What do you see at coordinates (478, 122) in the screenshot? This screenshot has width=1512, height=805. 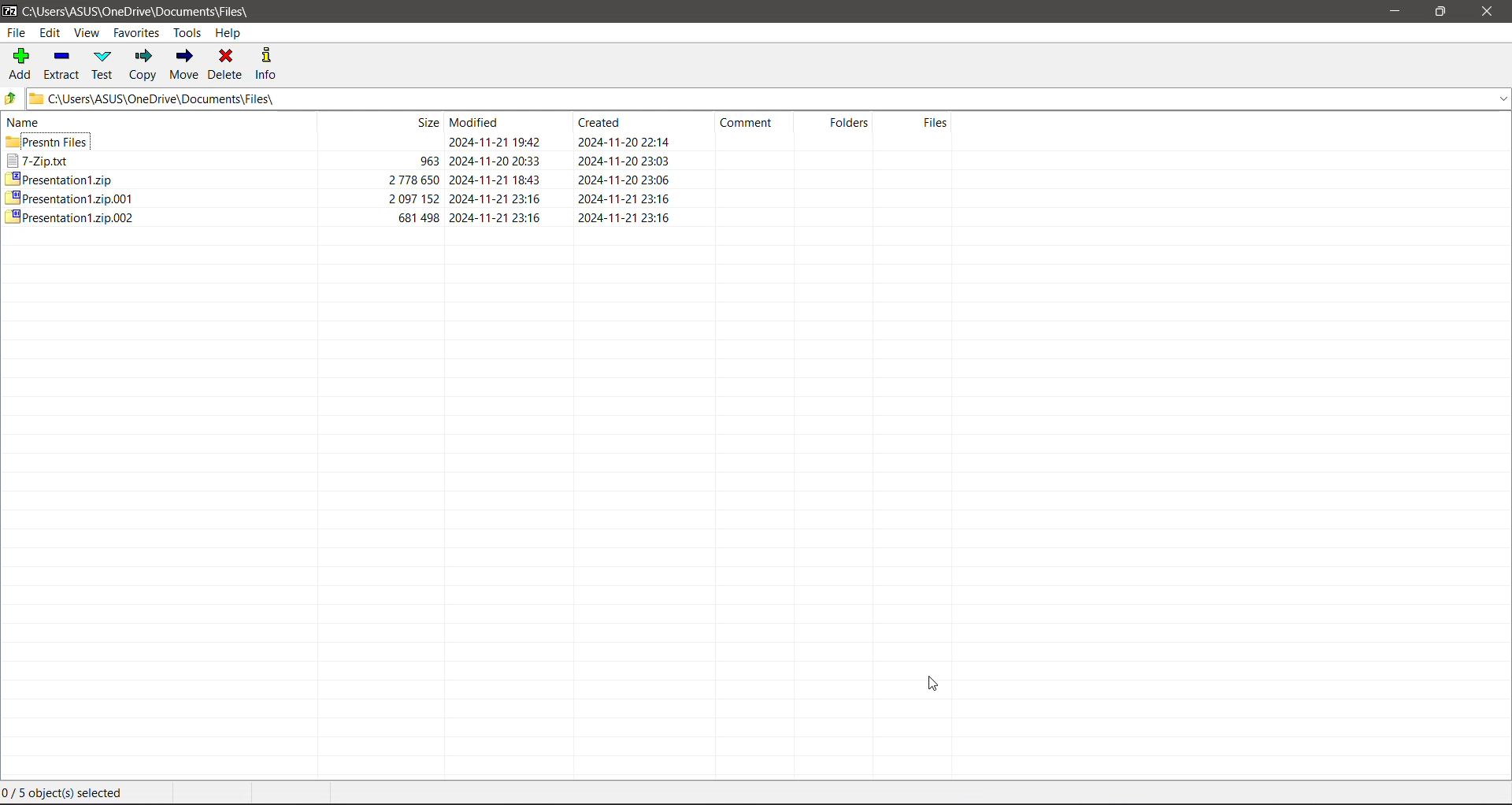 I see `re Modified` at bounding box center [478, 122].